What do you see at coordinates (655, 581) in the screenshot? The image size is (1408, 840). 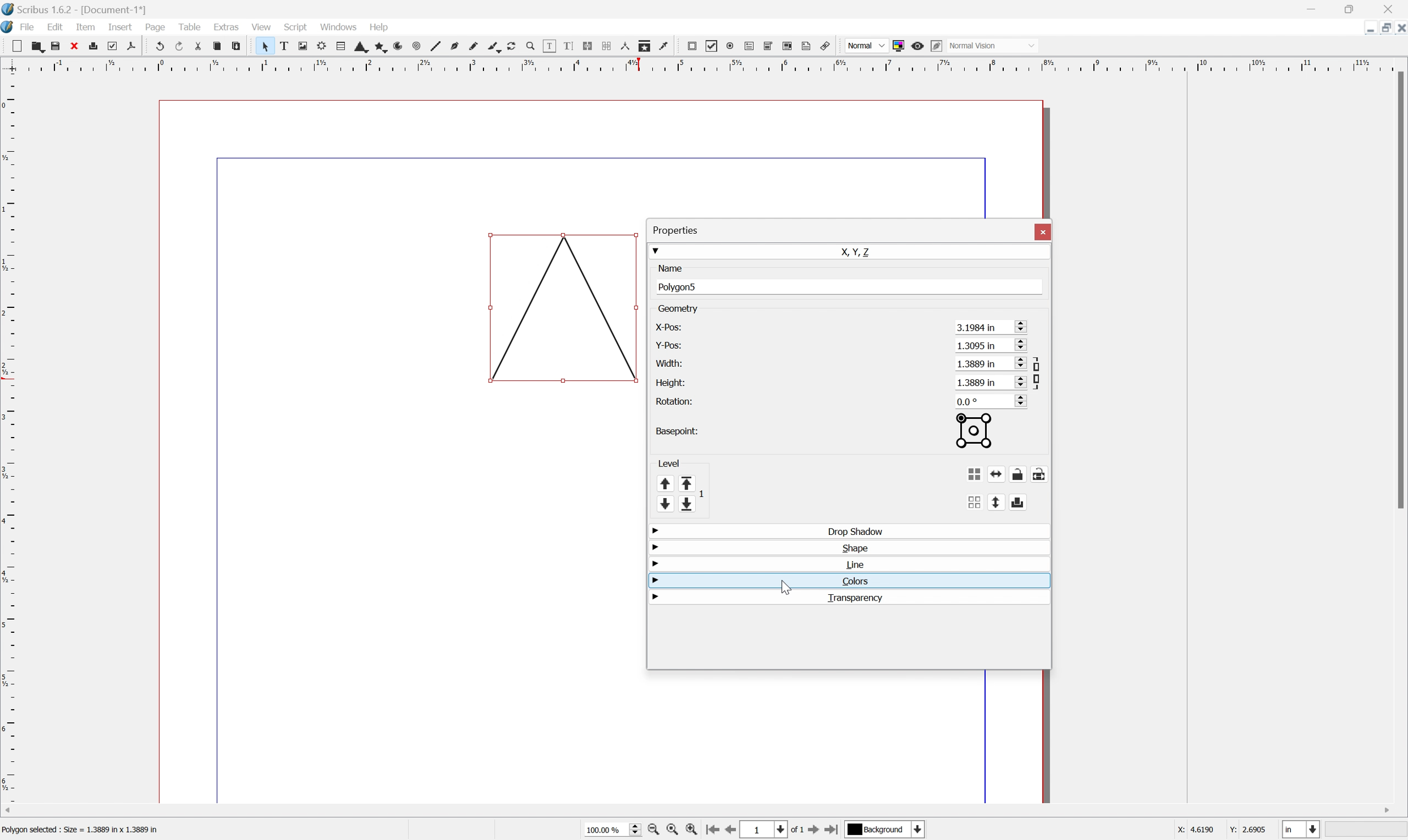 I see `Drop Down` at bounding box center [655, 581].